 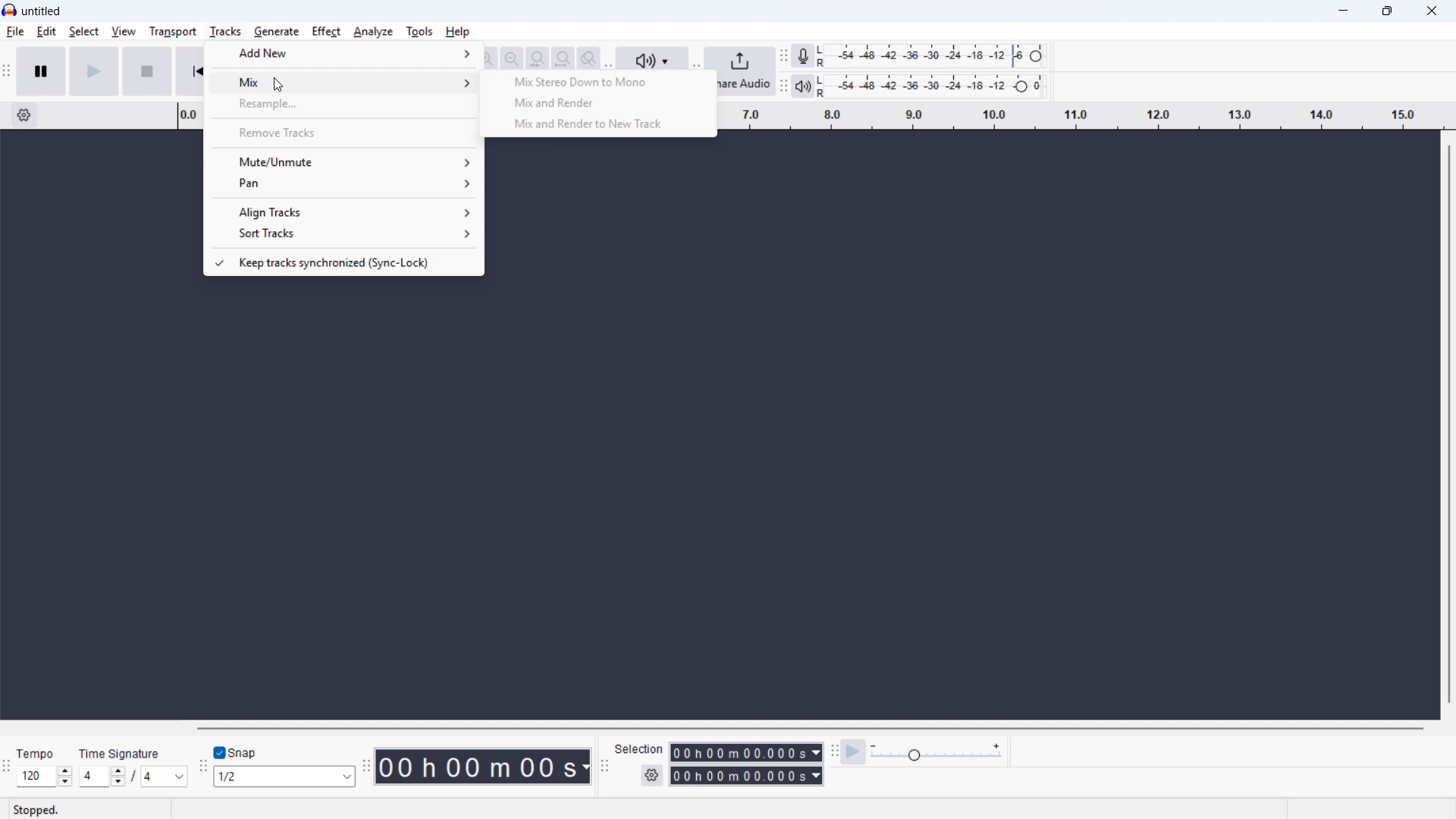 What do you see at coordinates (132, 777) in the screenshot?
I see `Set time signature ` at bounding box center [132, 777].